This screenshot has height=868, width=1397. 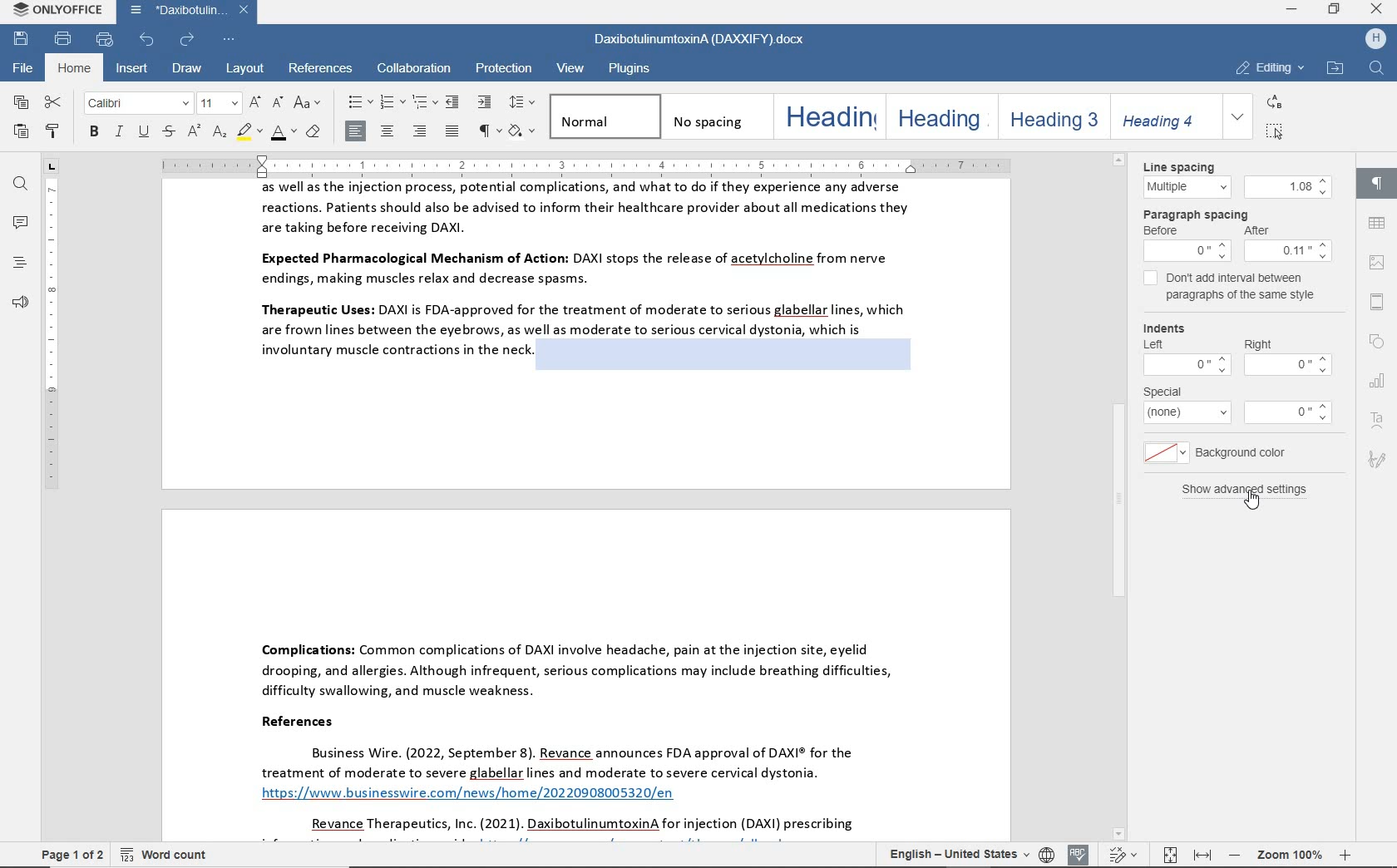 What do you see at coordinates (19, 223) in the screenshot?
I see `comments` at bounding box center [19, 223].